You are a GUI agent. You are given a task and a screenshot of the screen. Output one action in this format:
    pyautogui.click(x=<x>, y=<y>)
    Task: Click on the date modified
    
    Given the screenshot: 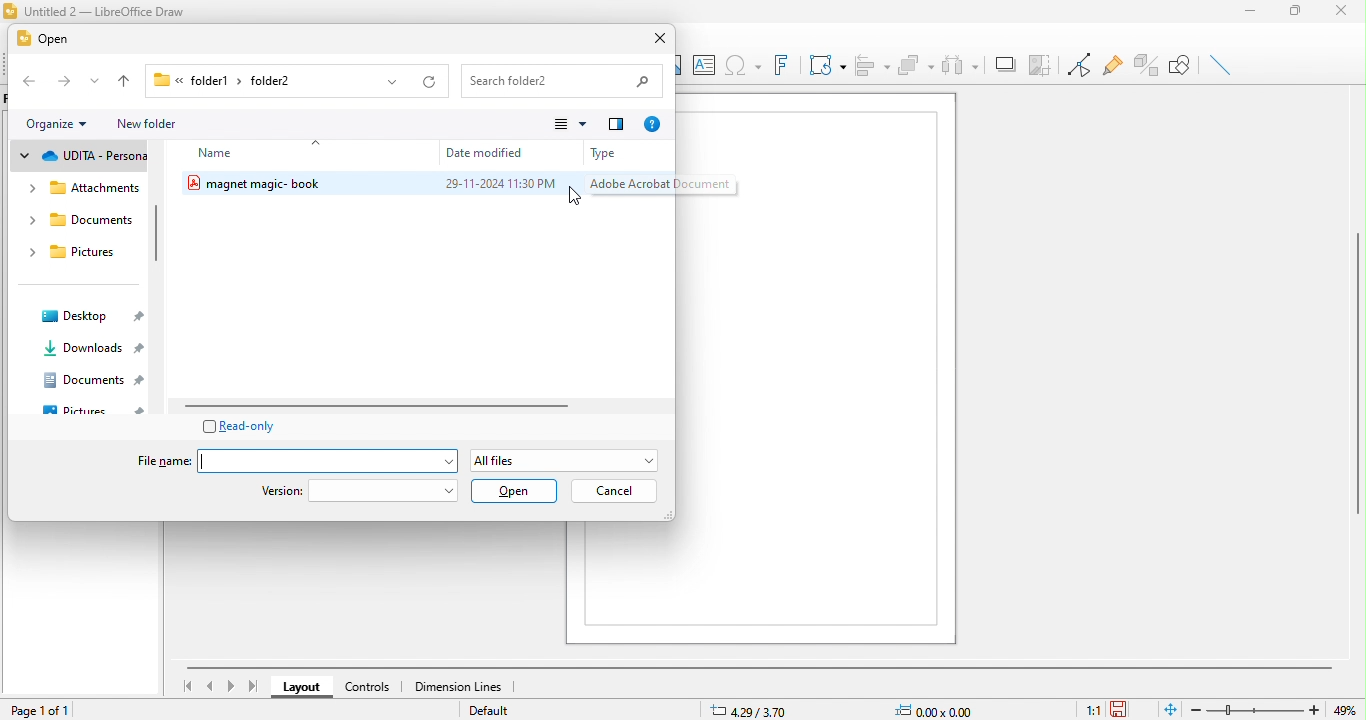 What is the action you would take?
    pyautogui.click(x=505, y=152)
    